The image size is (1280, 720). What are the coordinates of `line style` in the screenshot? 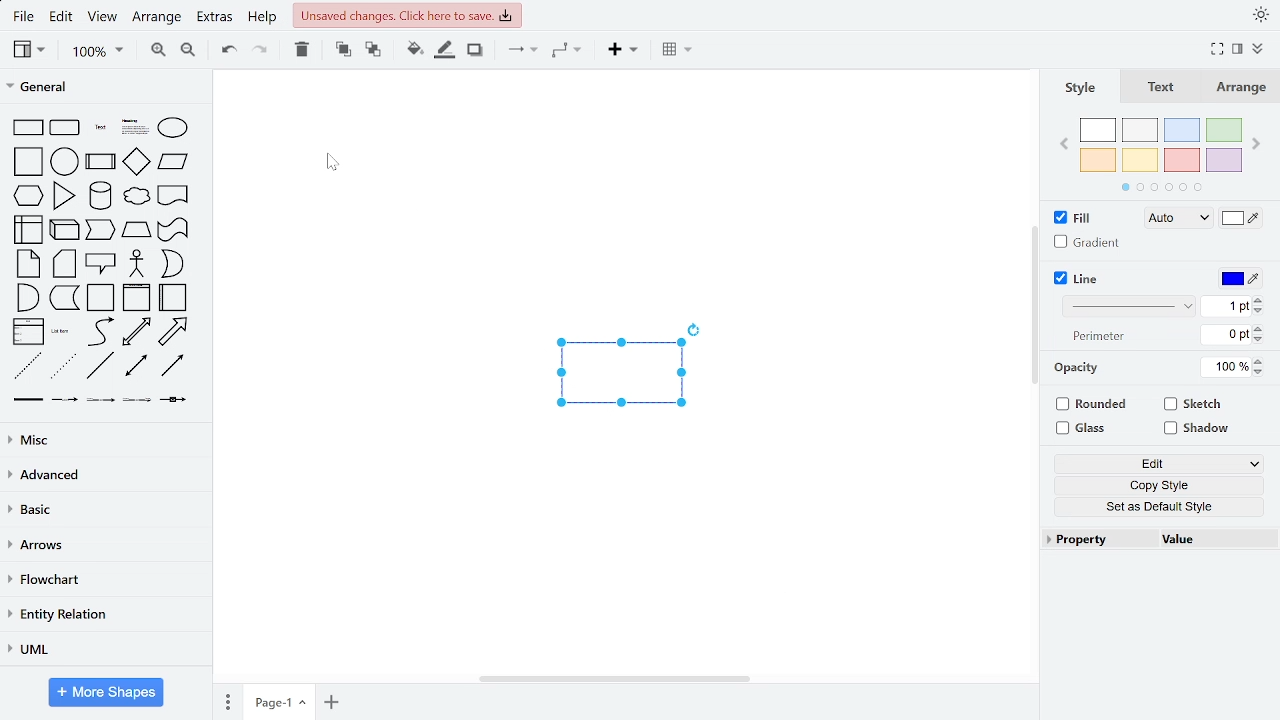 It's located at (1131, 305).